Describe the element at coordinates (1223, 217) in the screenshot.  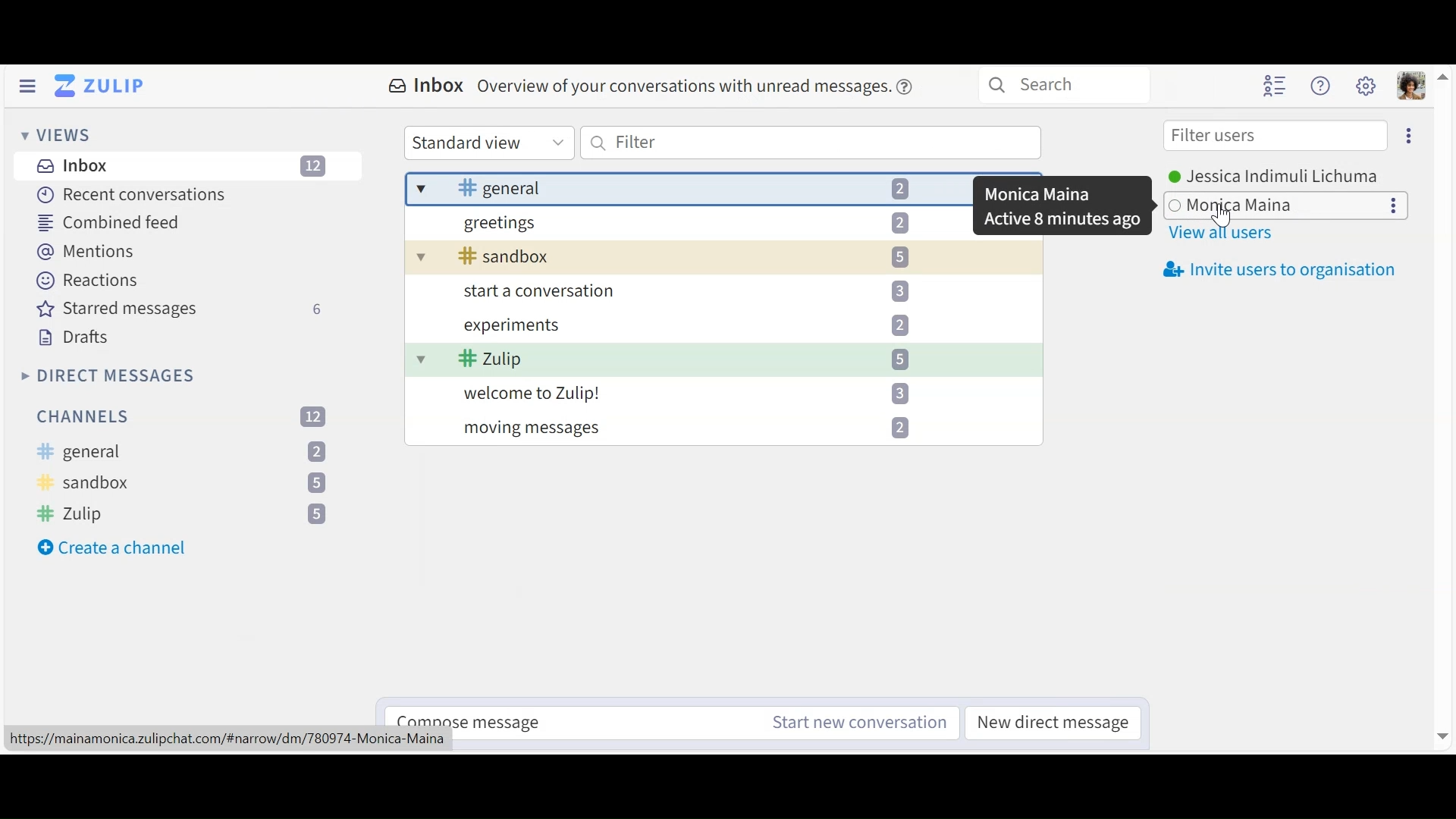
I see `cursor` at that location.